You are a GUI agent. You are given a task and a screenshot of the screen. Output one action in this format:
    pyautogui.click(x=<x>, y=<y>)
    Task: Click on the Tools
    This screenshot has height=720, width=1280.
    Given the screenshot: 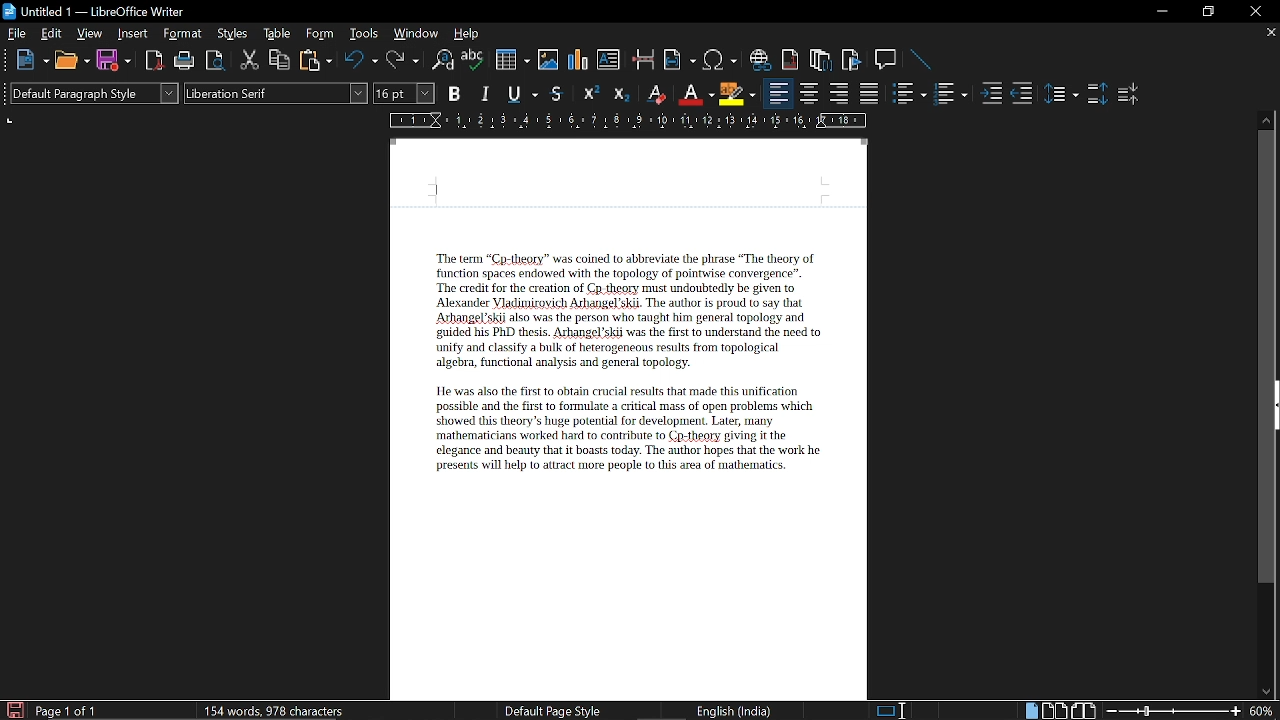 What is the action you would take?
    pyautogui.click(x=362, y=33)
    